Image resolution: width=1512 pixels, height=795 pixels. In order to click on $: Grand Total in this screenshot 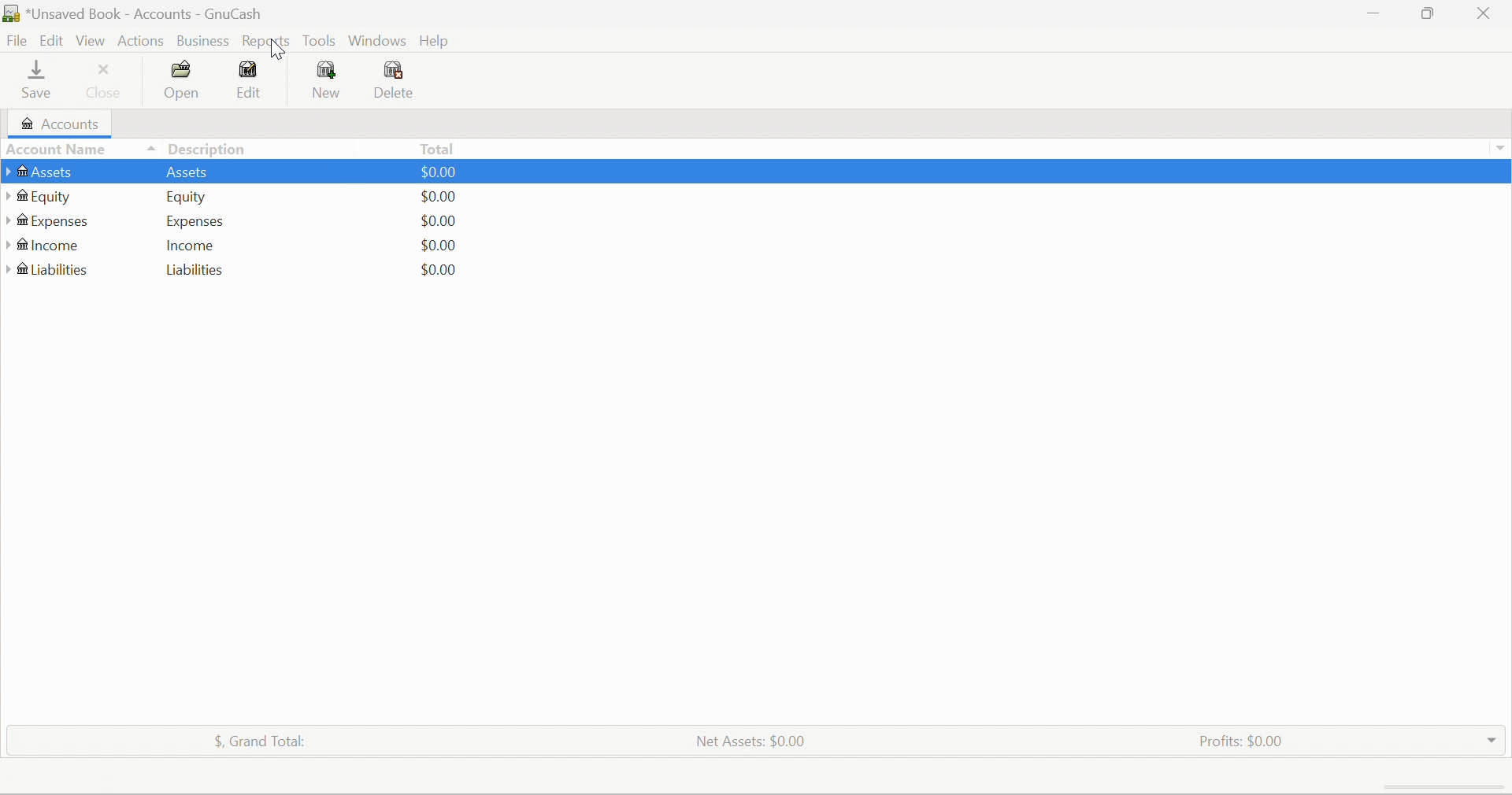, I will do `click(254, 742)`.